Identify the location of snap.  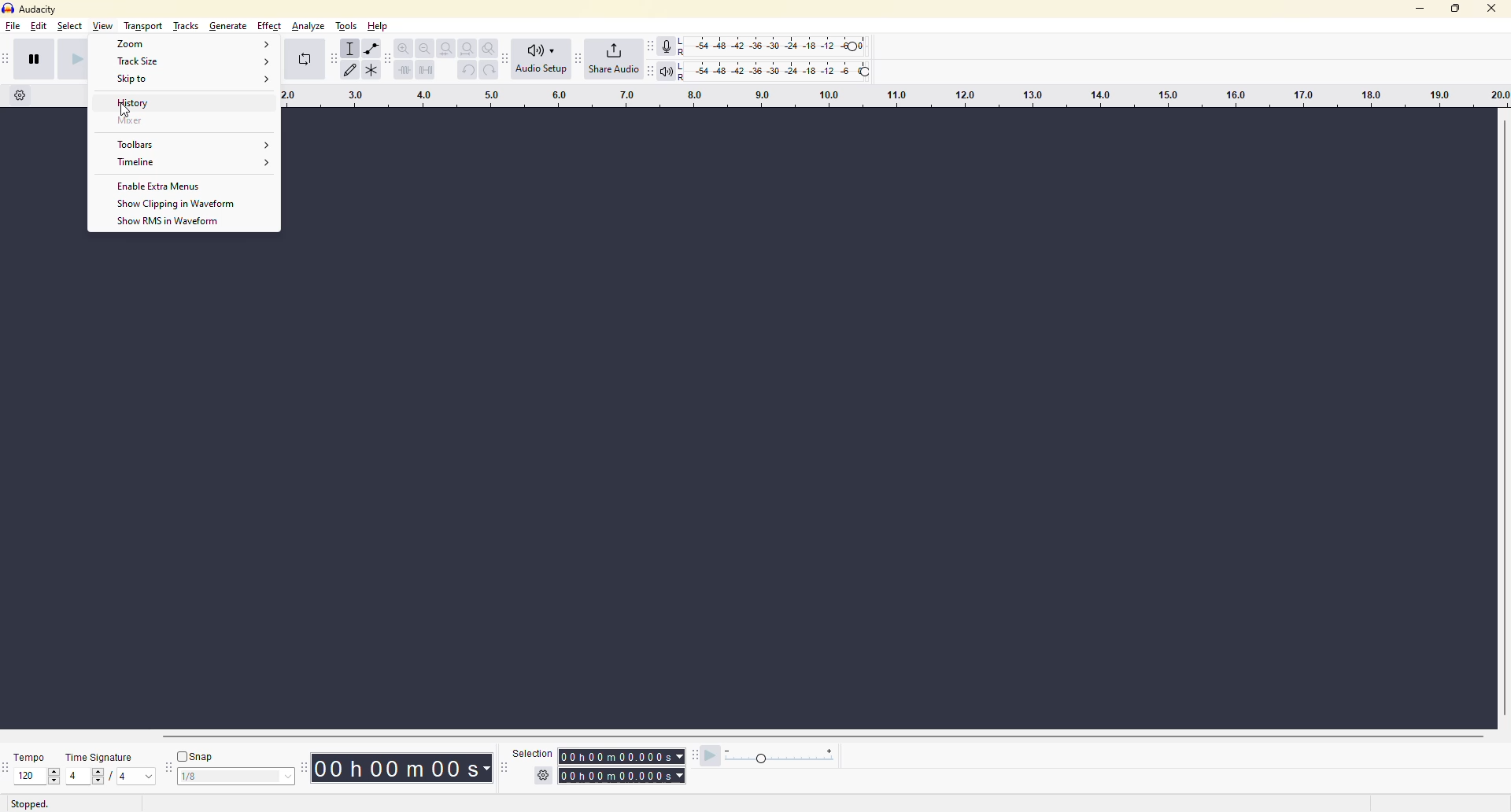
(195, 758).